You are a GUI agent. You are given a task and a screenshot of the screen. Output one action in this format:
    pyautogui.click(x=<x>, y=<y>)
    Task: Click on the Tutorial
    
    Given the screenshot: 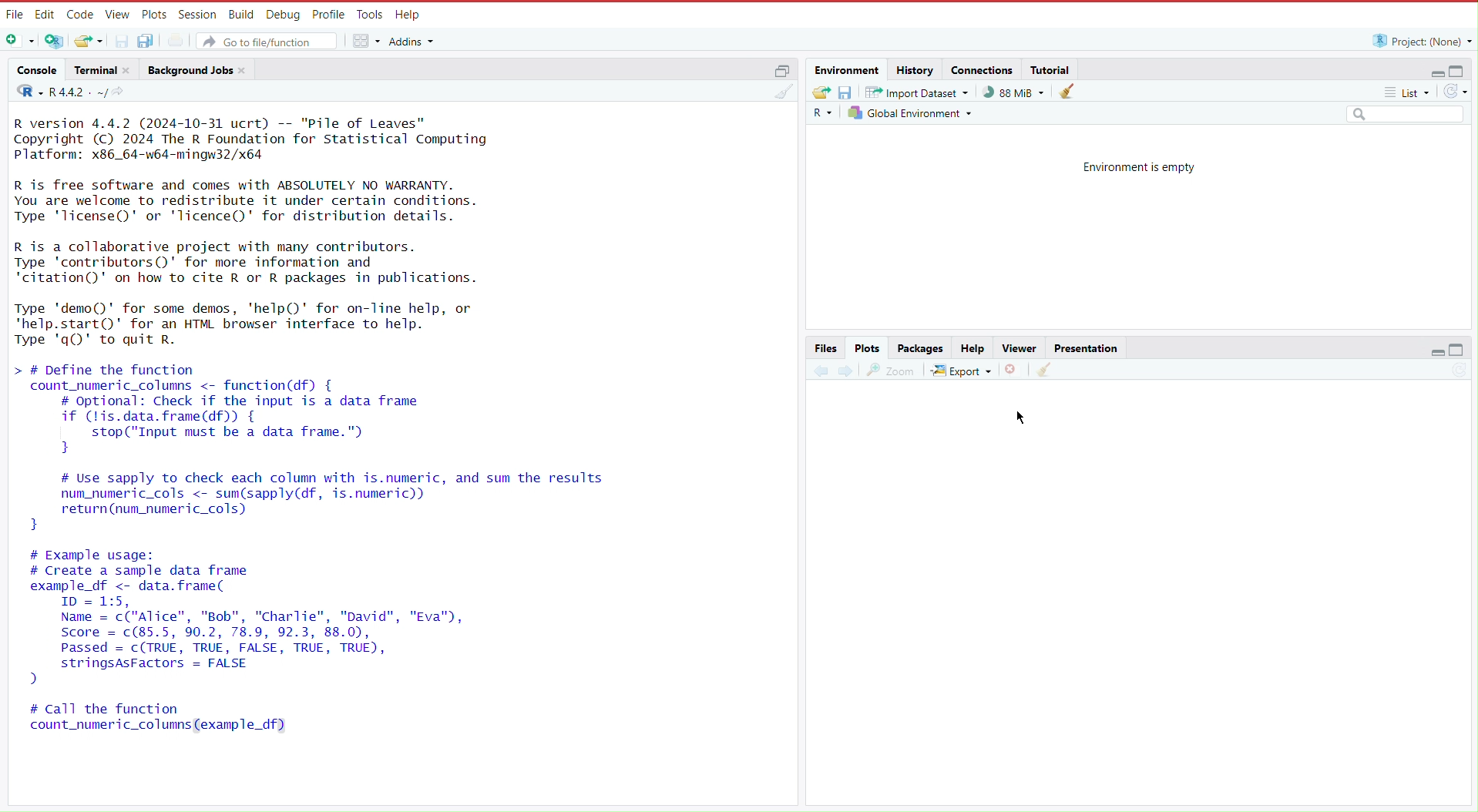 What is the action you would take?
    pyautogui.click(x=1053, y=69)
    